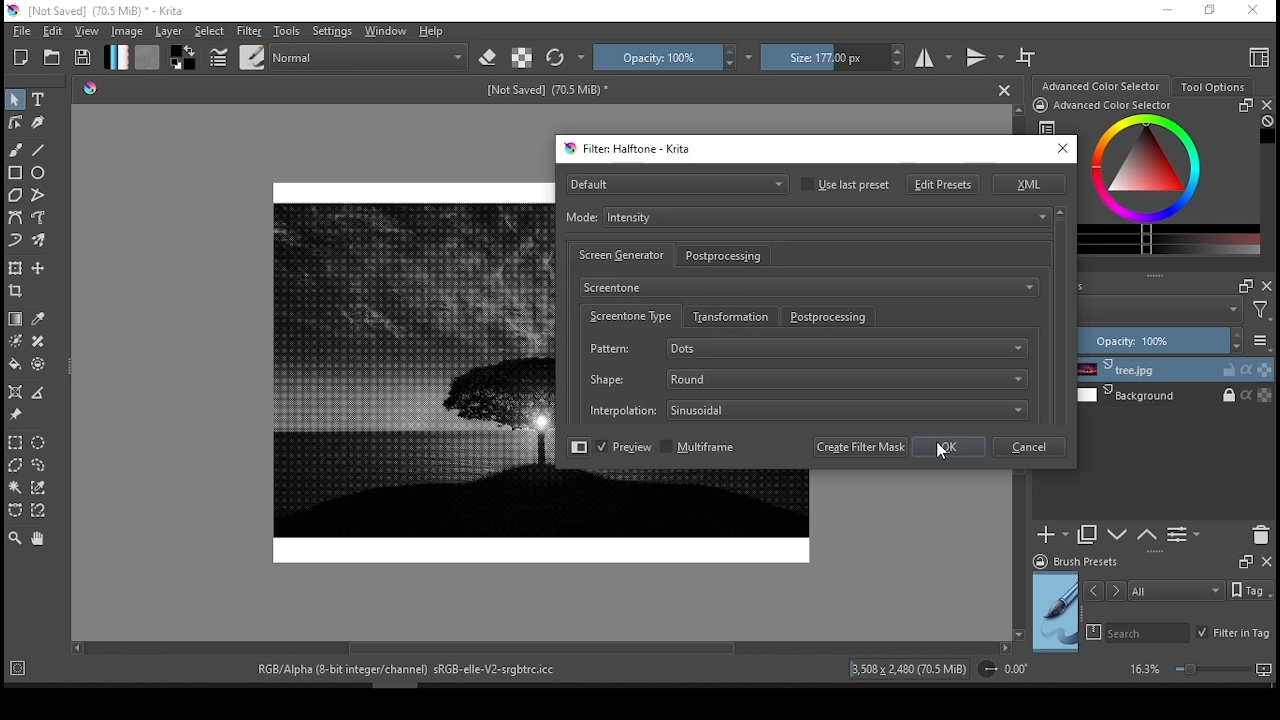  I want to click on freehand selection tool, so click(39, 464).